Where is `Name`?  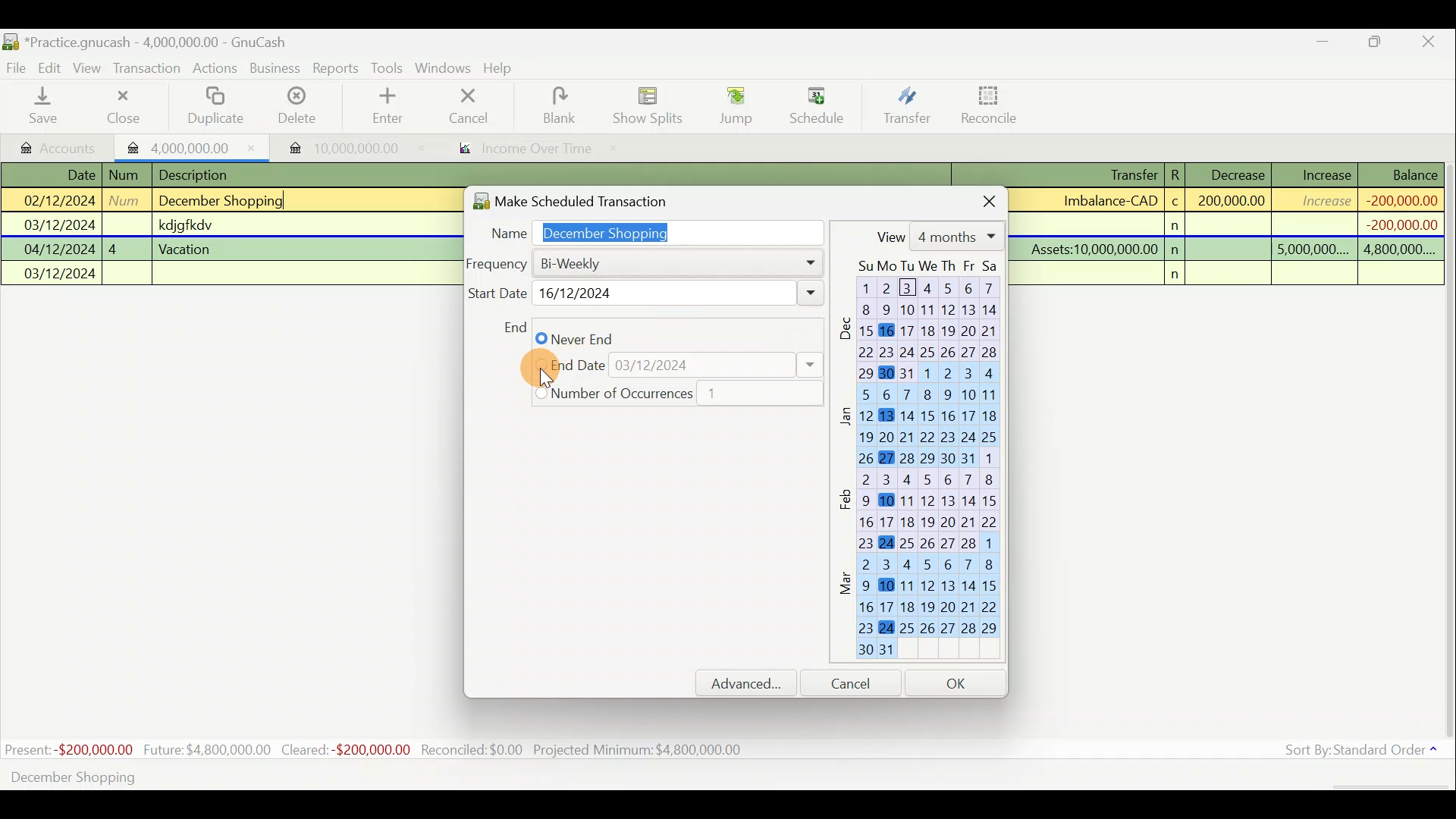 Name is located at coordinates (649, 230).